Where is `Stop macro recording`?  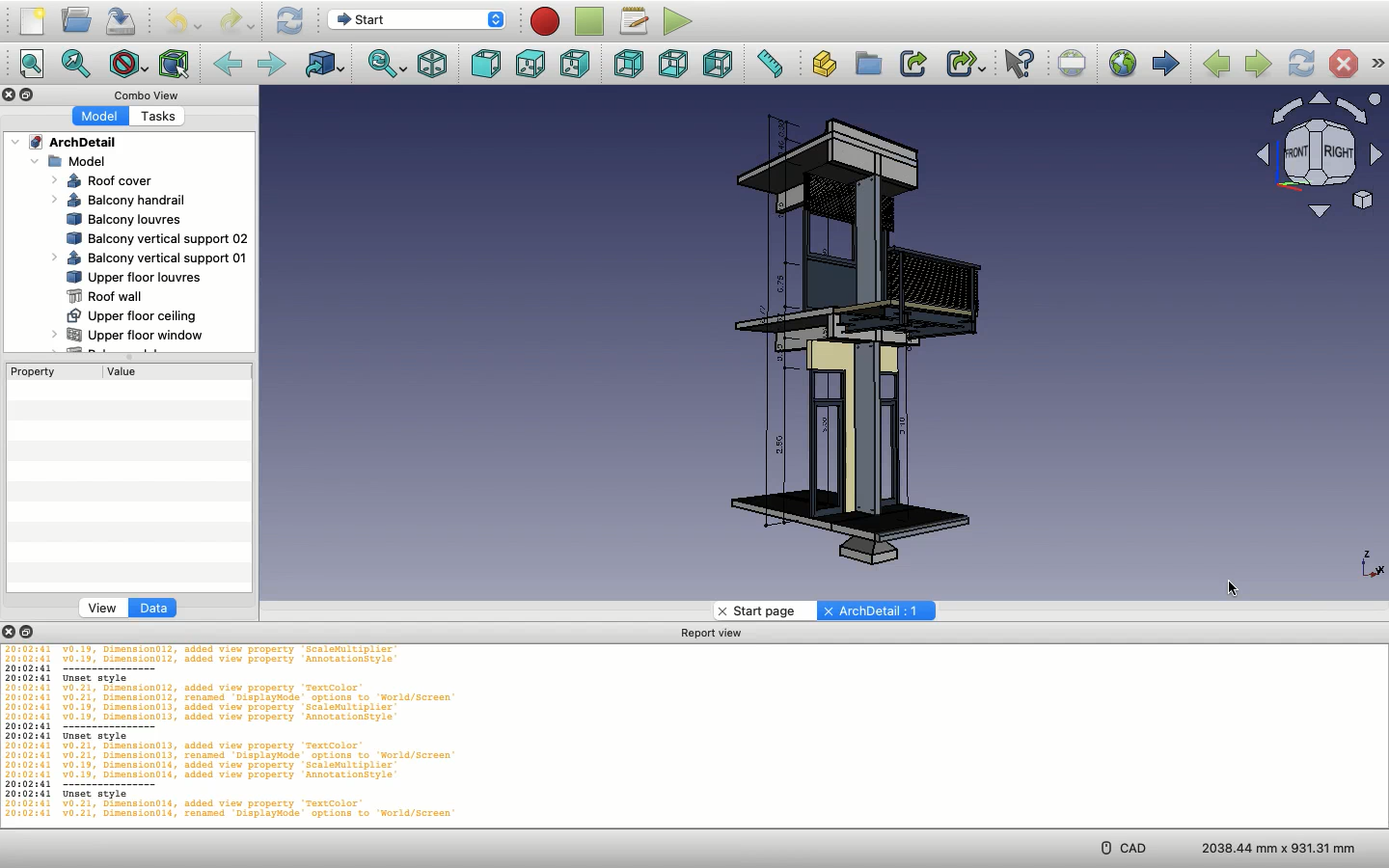
Stop macro recording is located at coordinates (590, 22).